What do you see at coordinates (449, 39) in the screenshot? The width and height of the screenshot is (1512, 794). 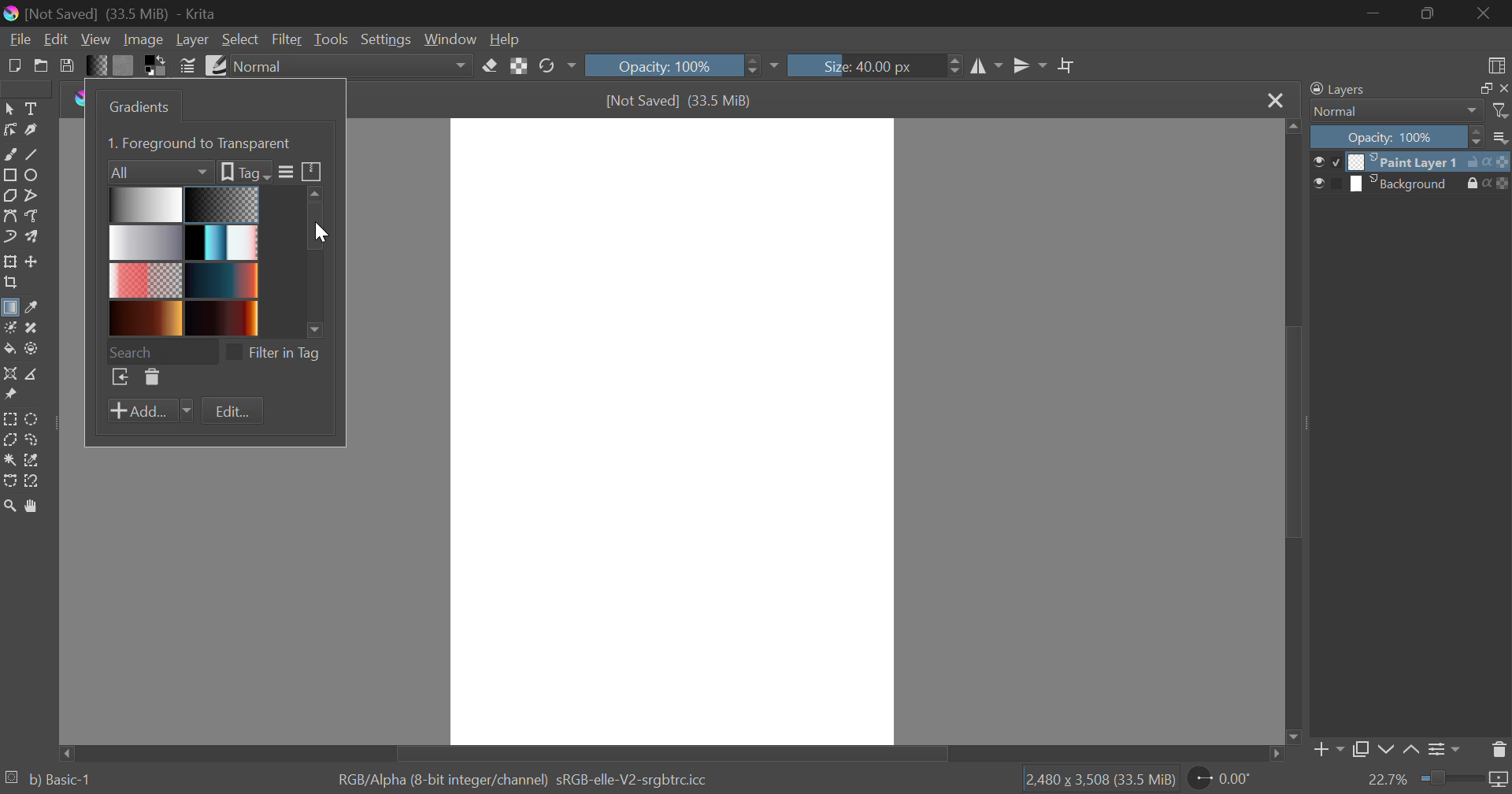 I see `Window` at bounding box center [449, 39].